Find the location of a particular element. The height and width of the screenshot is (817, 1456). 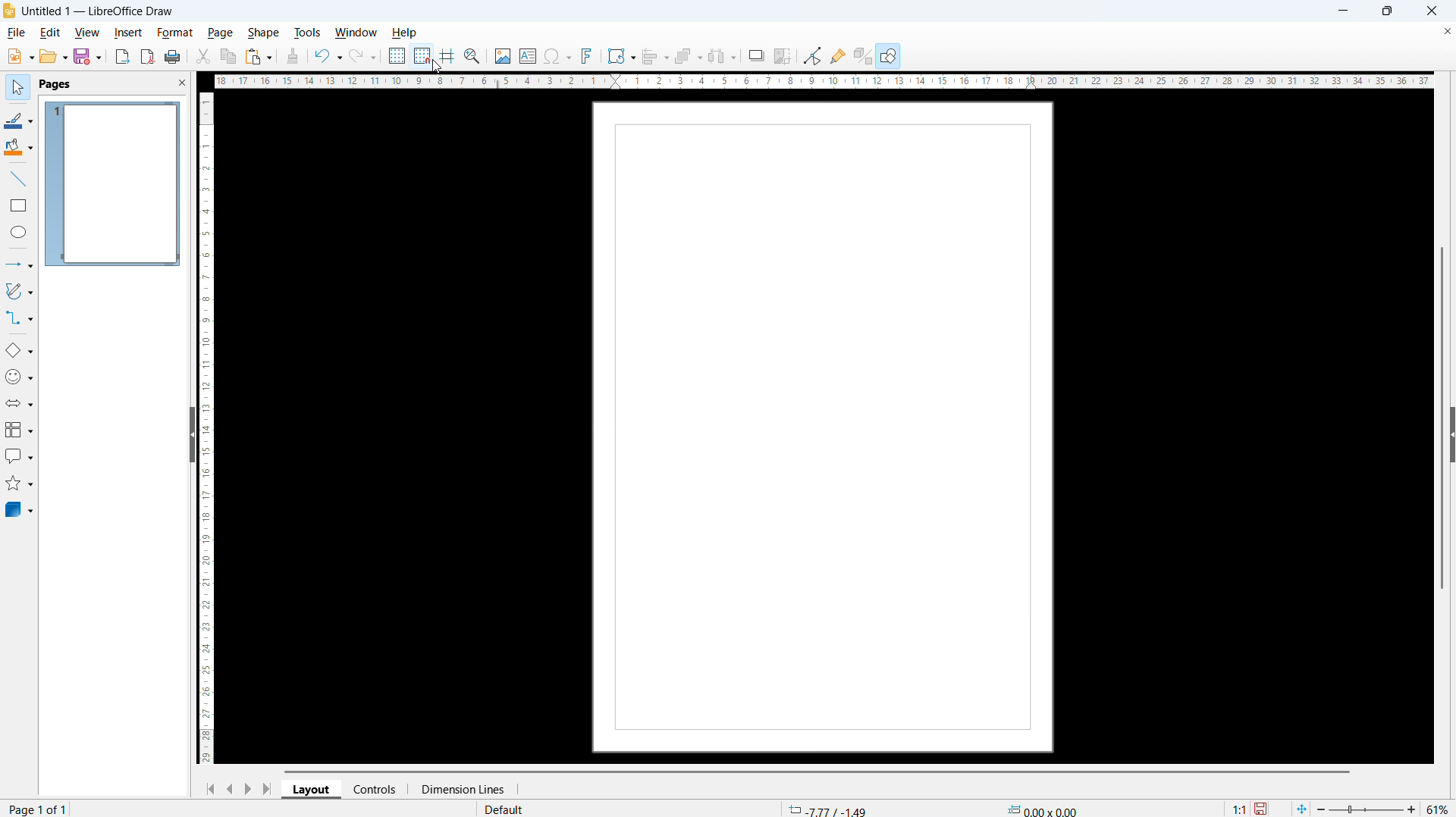

Go to first page is located at coordinates (210, 790).